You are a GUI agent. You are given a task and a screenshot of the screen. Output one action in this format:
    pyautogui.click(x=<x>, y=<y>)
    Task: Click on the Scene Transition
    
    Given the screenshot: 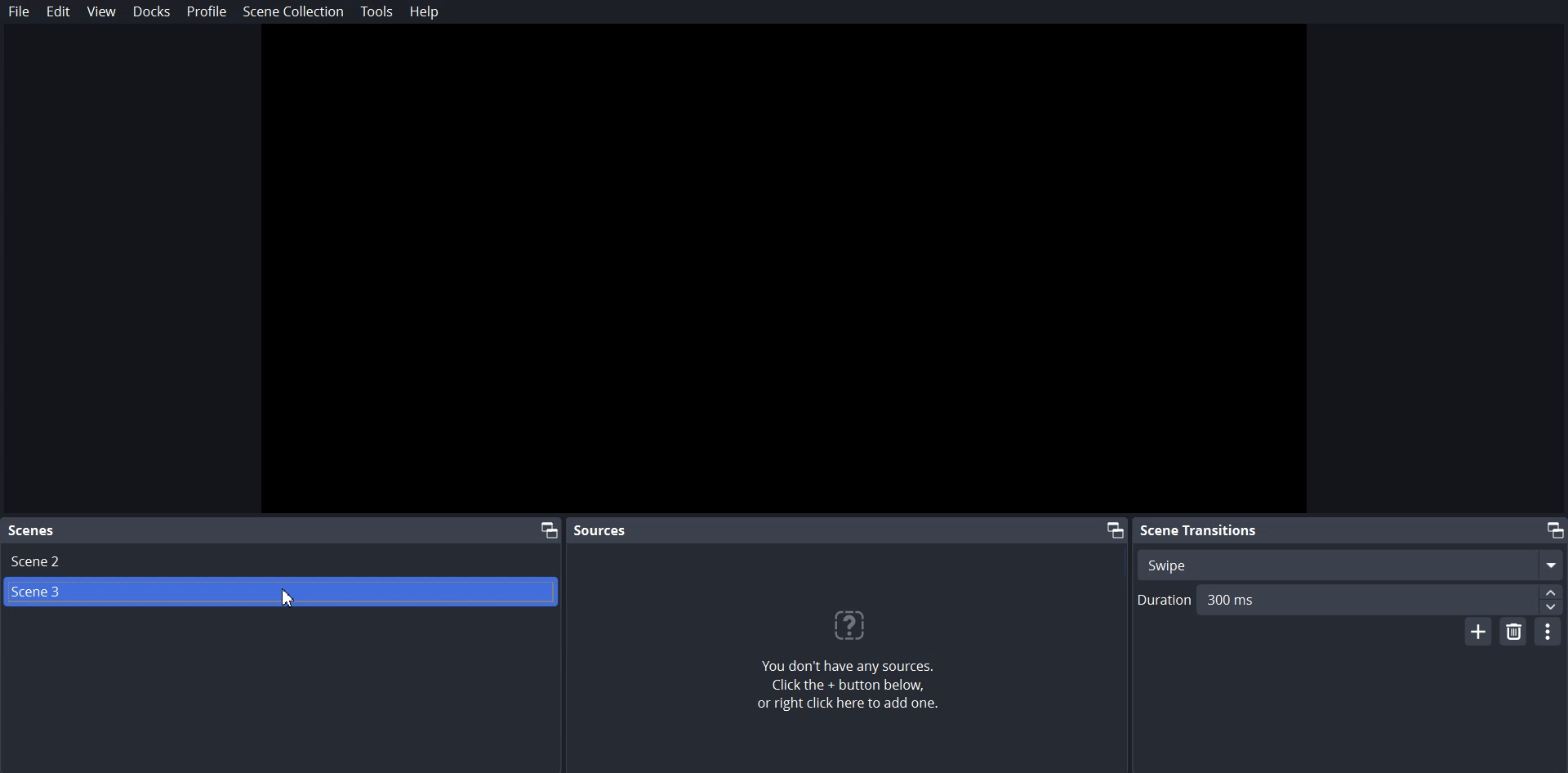 What is the action you would take?
    pyautogui.click(x=1348, y=529)
    